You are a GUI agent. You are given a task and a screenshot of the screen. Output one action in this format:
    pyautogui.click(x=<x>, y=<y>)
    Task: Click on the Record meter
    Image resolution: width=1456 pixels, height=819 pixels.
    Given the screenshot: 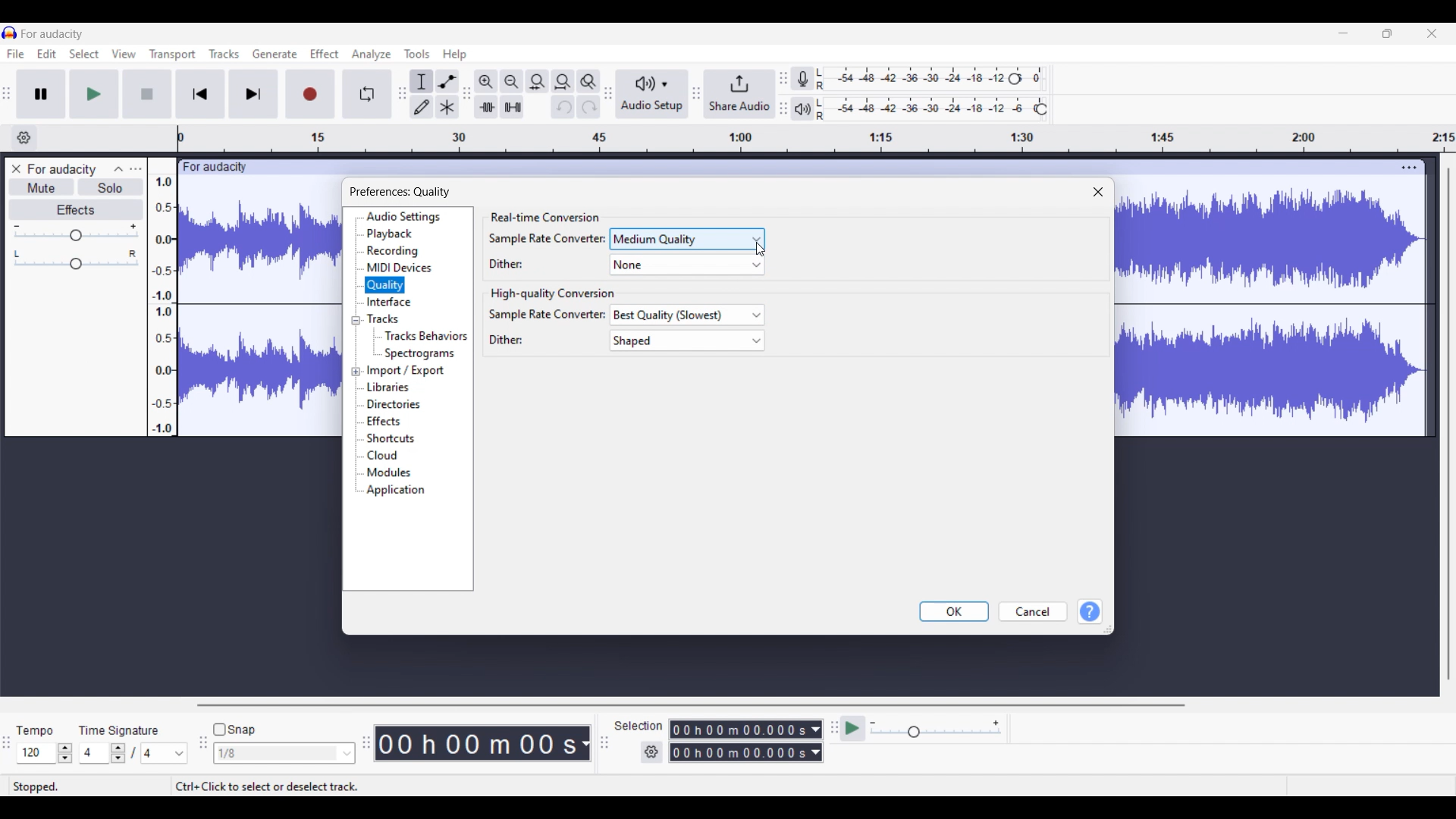 What is the action you would take?
    pyautogui.click(x=802, y=79)
    